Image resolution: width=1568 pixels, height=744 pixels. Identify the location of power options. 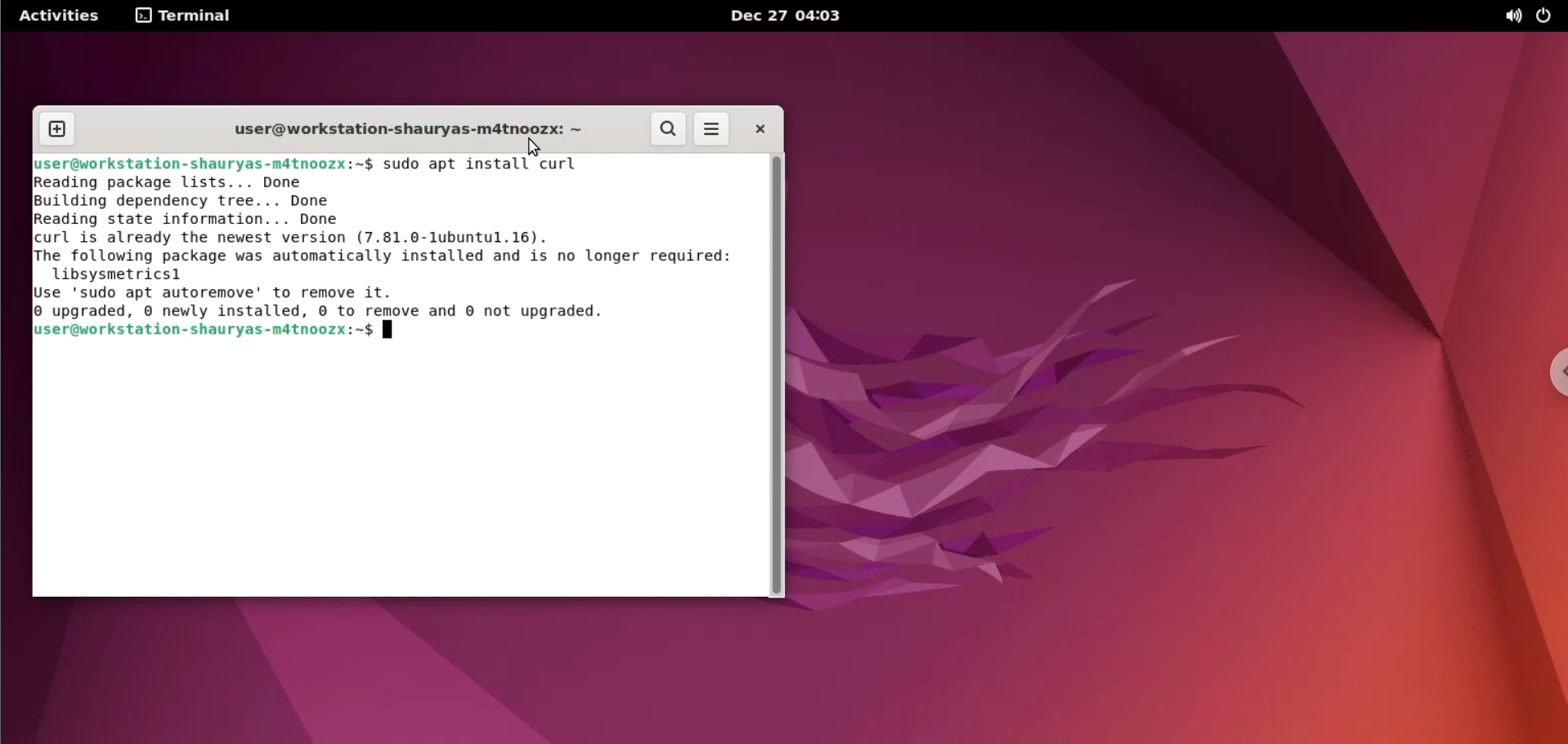
(1548, 16).